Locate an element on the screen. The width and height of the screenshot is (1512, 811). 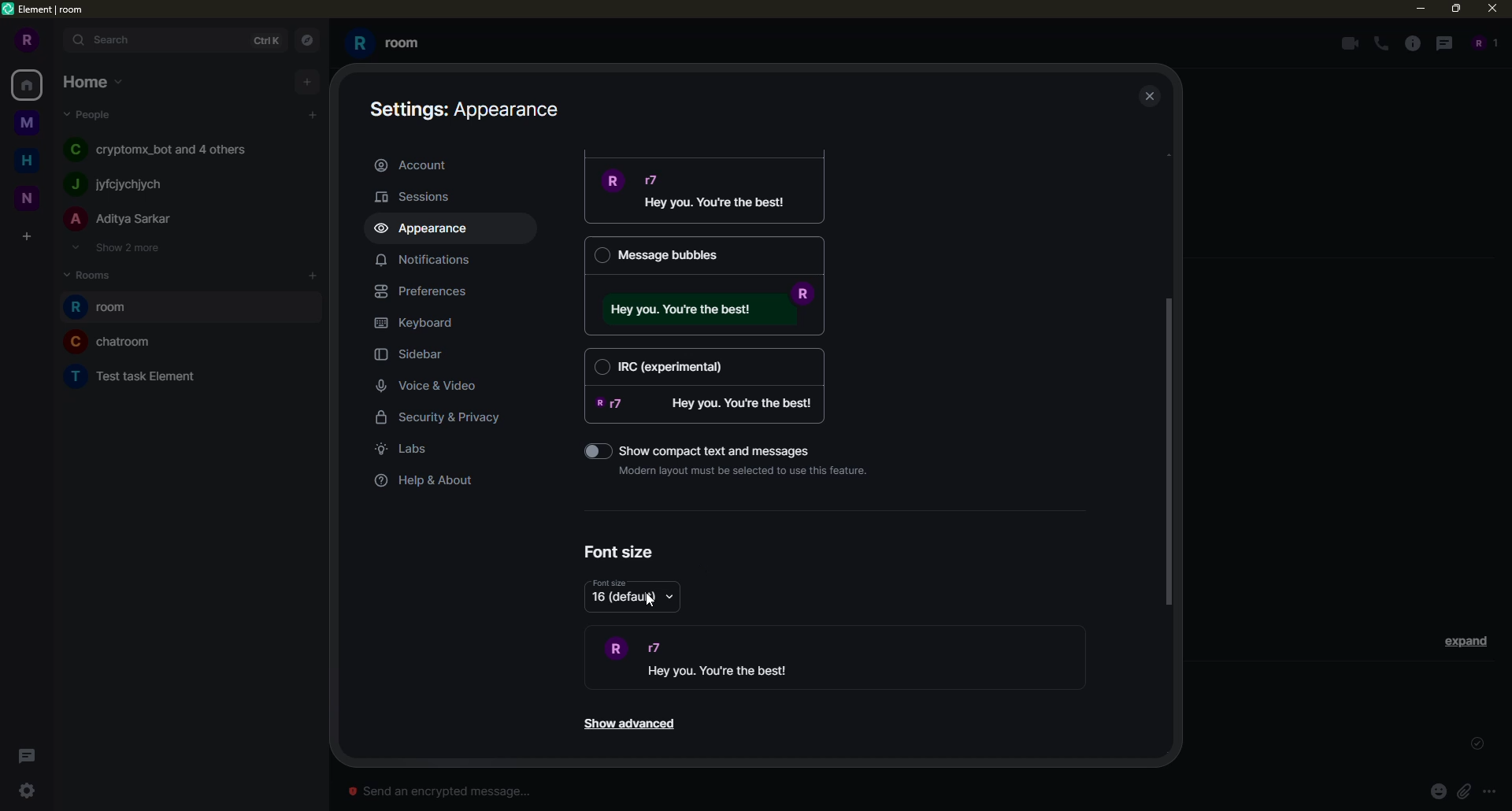
minimize is located at coordinates (1415, 8).